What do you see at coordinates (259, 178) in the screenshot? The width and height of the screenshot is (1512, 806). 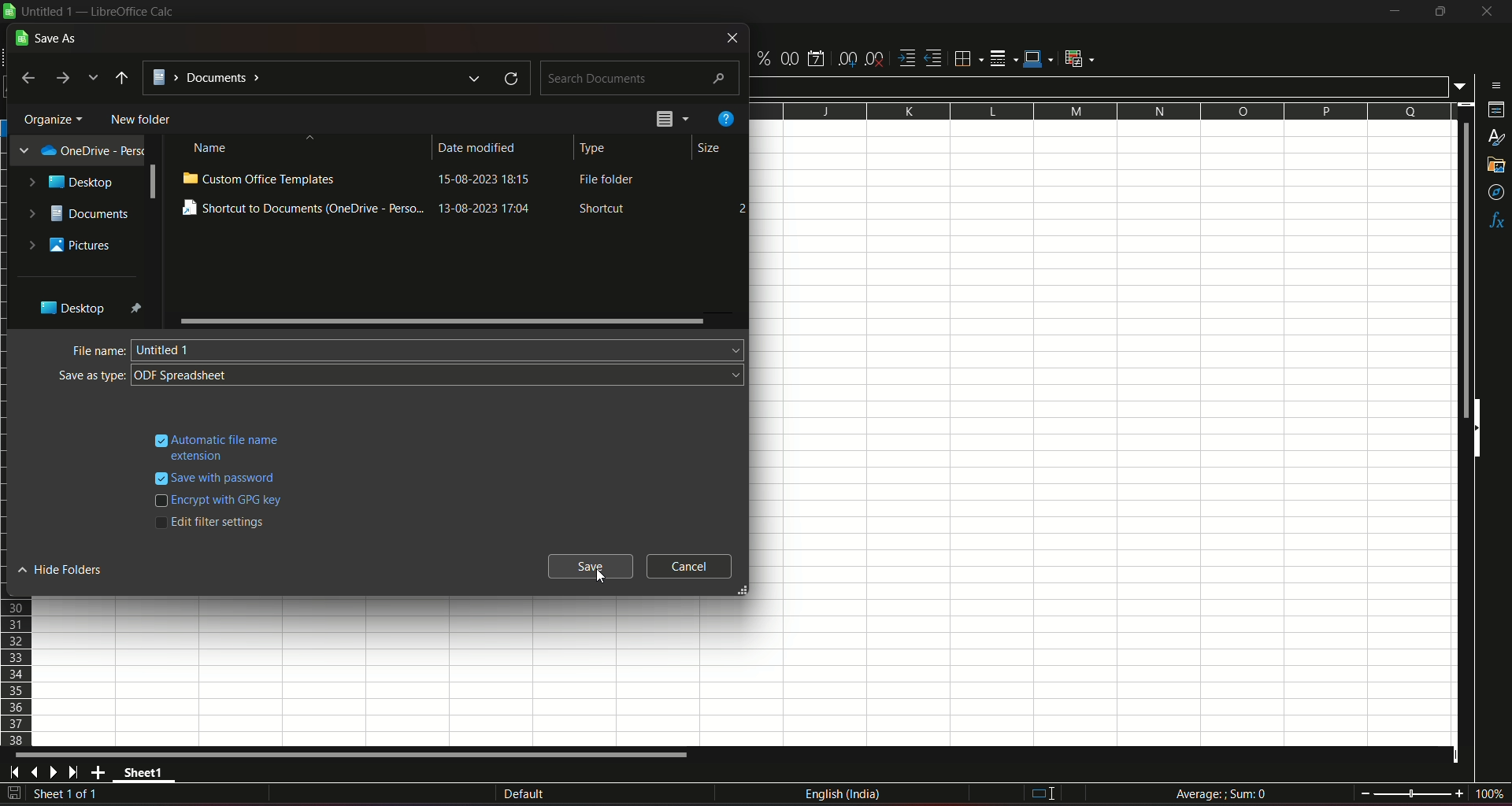 I see `custom office template` at bounding box center [259, 178].